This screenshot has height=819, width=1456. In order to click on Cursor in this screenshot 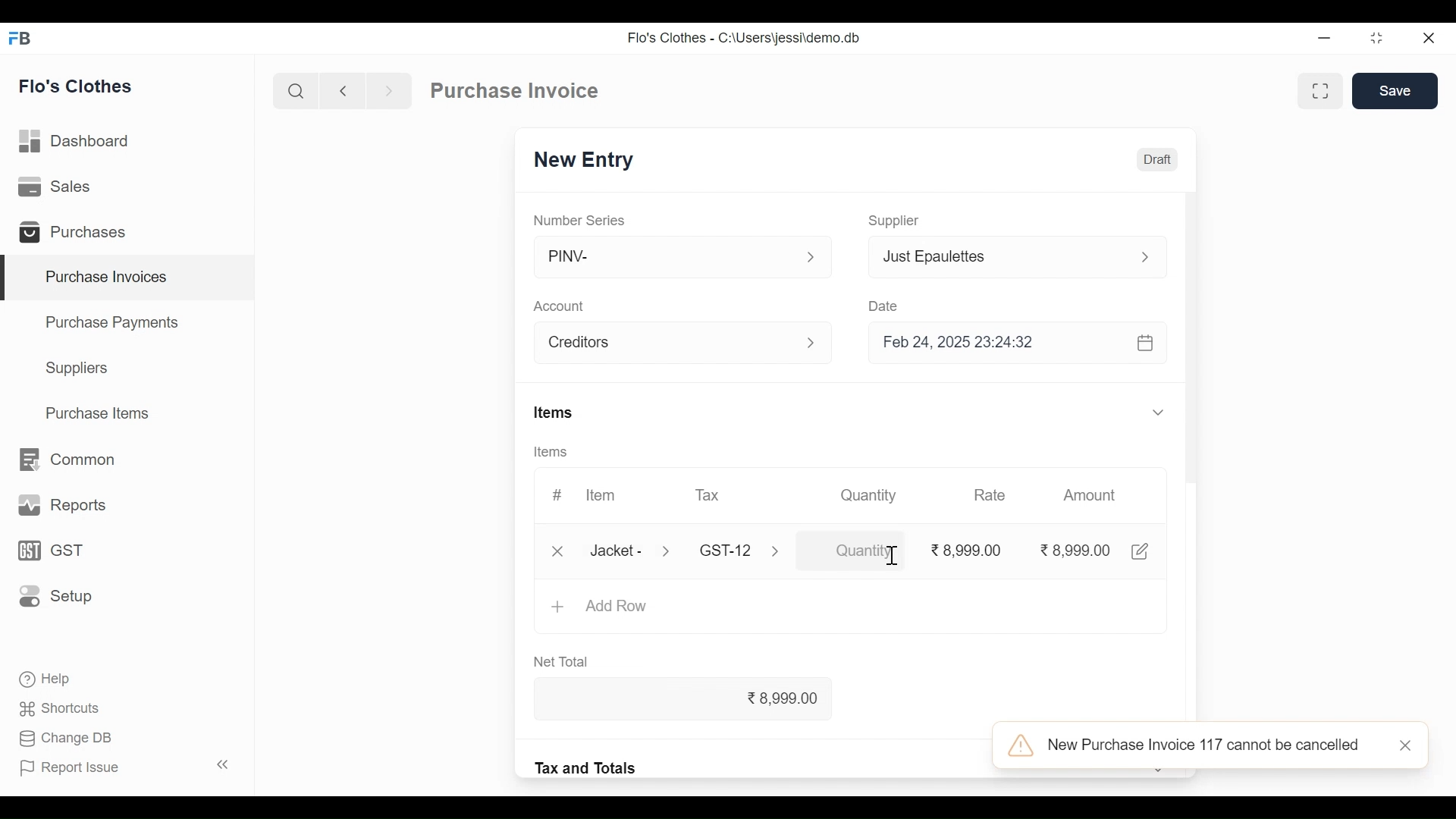, I will do `click(890, 556)`.